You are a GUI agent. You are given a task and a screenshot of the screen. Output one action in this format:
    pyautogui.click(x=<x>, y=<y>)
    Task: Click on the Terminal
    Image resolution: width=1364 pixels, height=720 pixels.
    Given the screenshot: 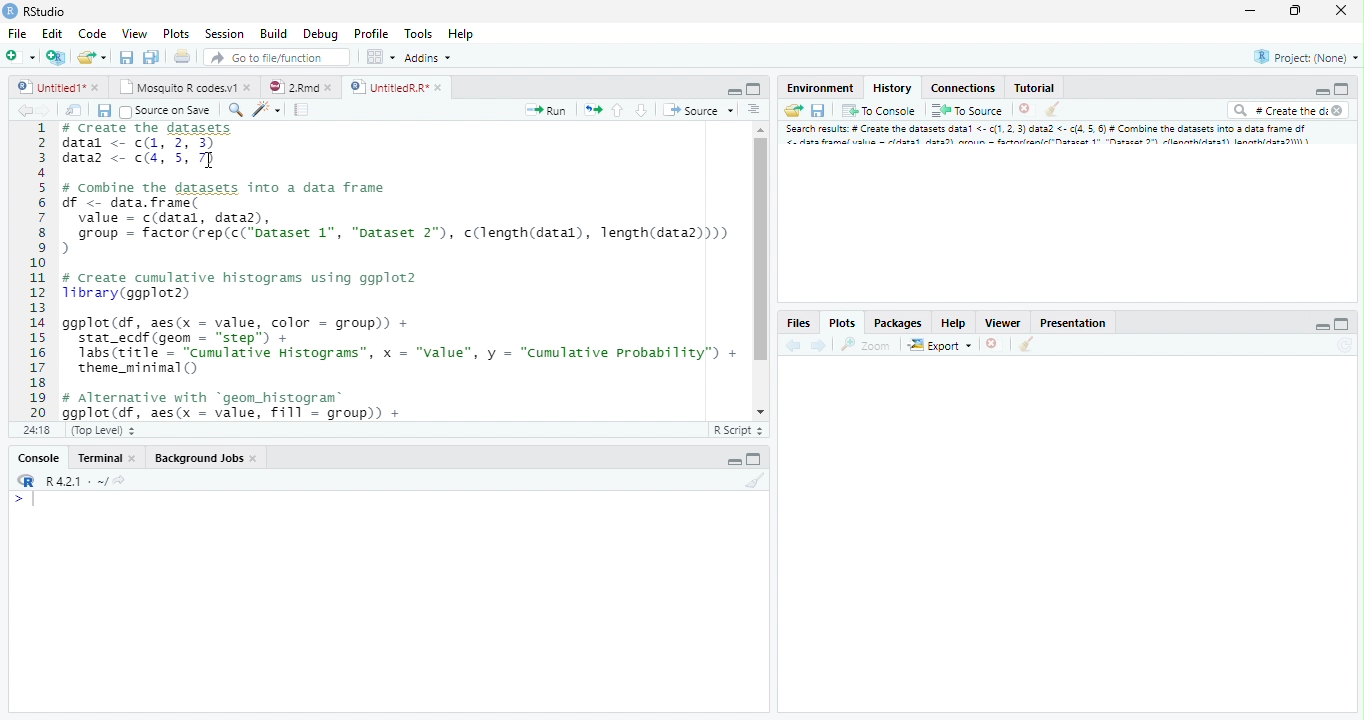 What is the action you would take?
    pyautogui.click(x=107, y=457)
    